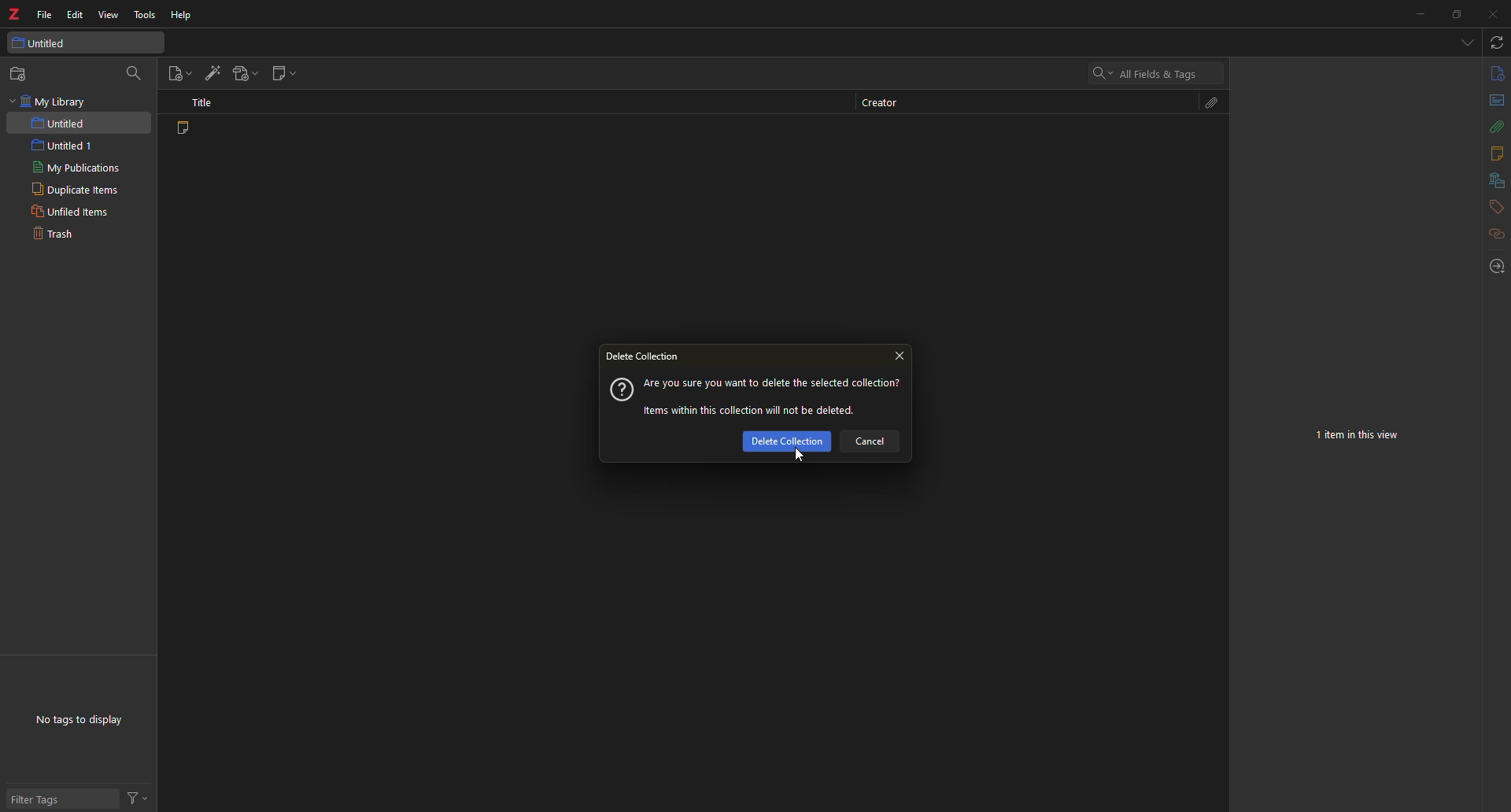  What do you see at coordinates (16, 15) in the screenshot?
I see `logo: z` at bounding box center [16, 15].